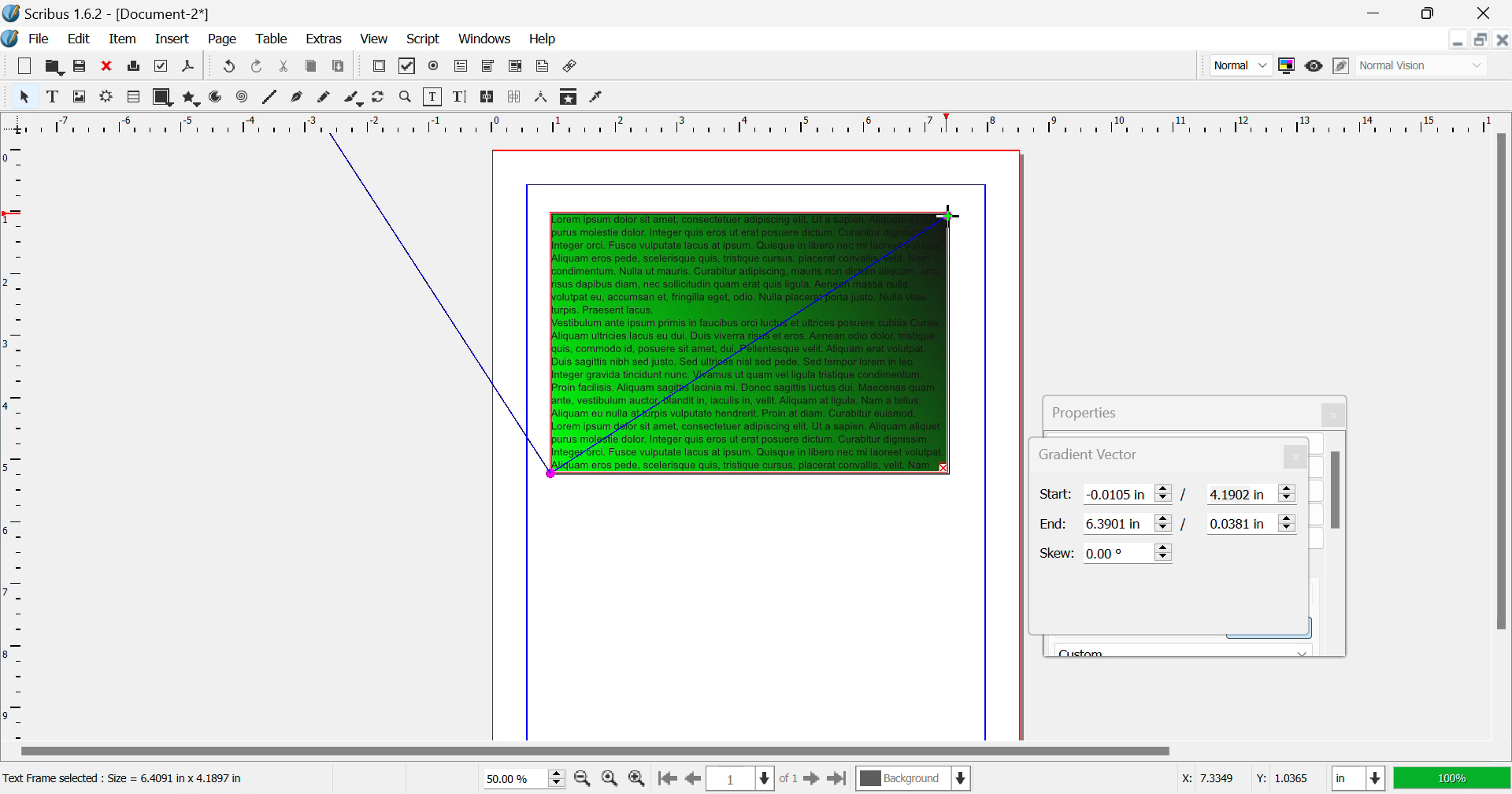 The width and height of the screenshot is (1512, 794). I want to click on Calligraphic Line, so click(354, 99).